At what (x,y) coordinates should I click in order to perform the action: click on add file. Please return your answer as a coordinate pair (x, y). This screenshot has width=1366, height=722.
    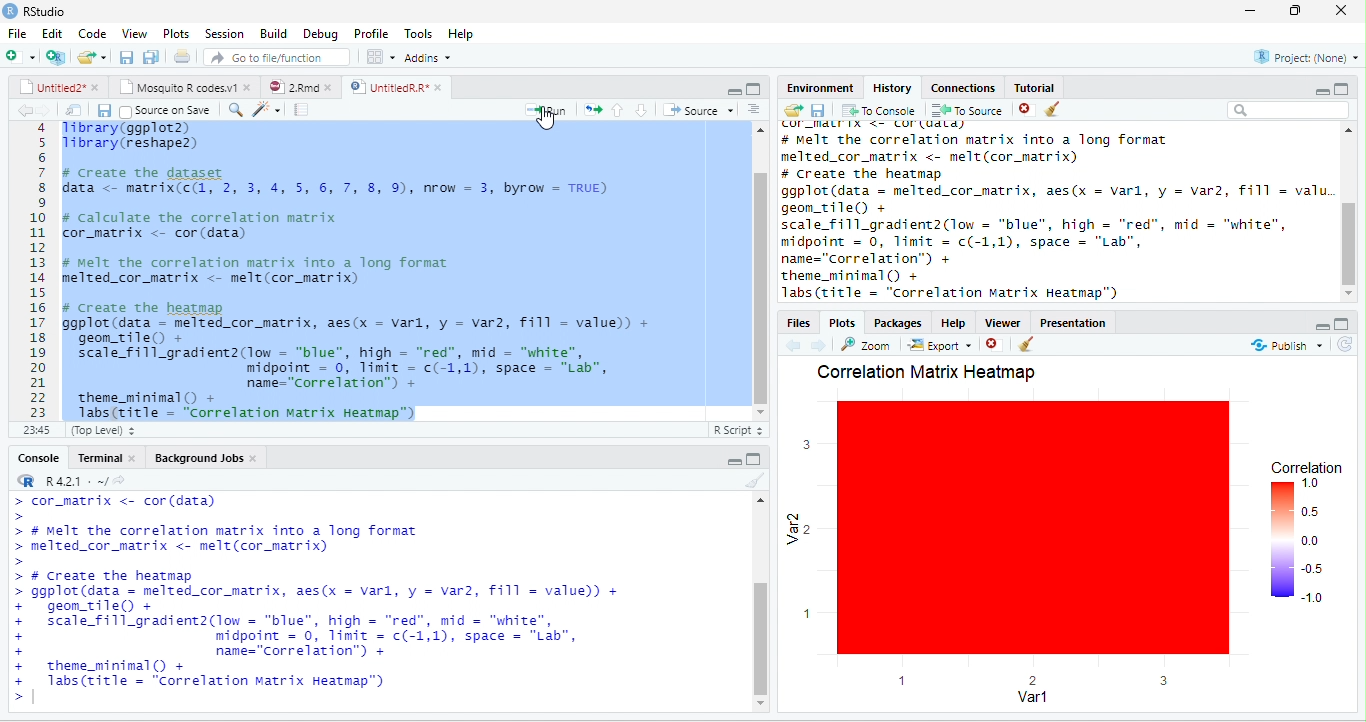
    Looking at the image, I should click on (33, 57).